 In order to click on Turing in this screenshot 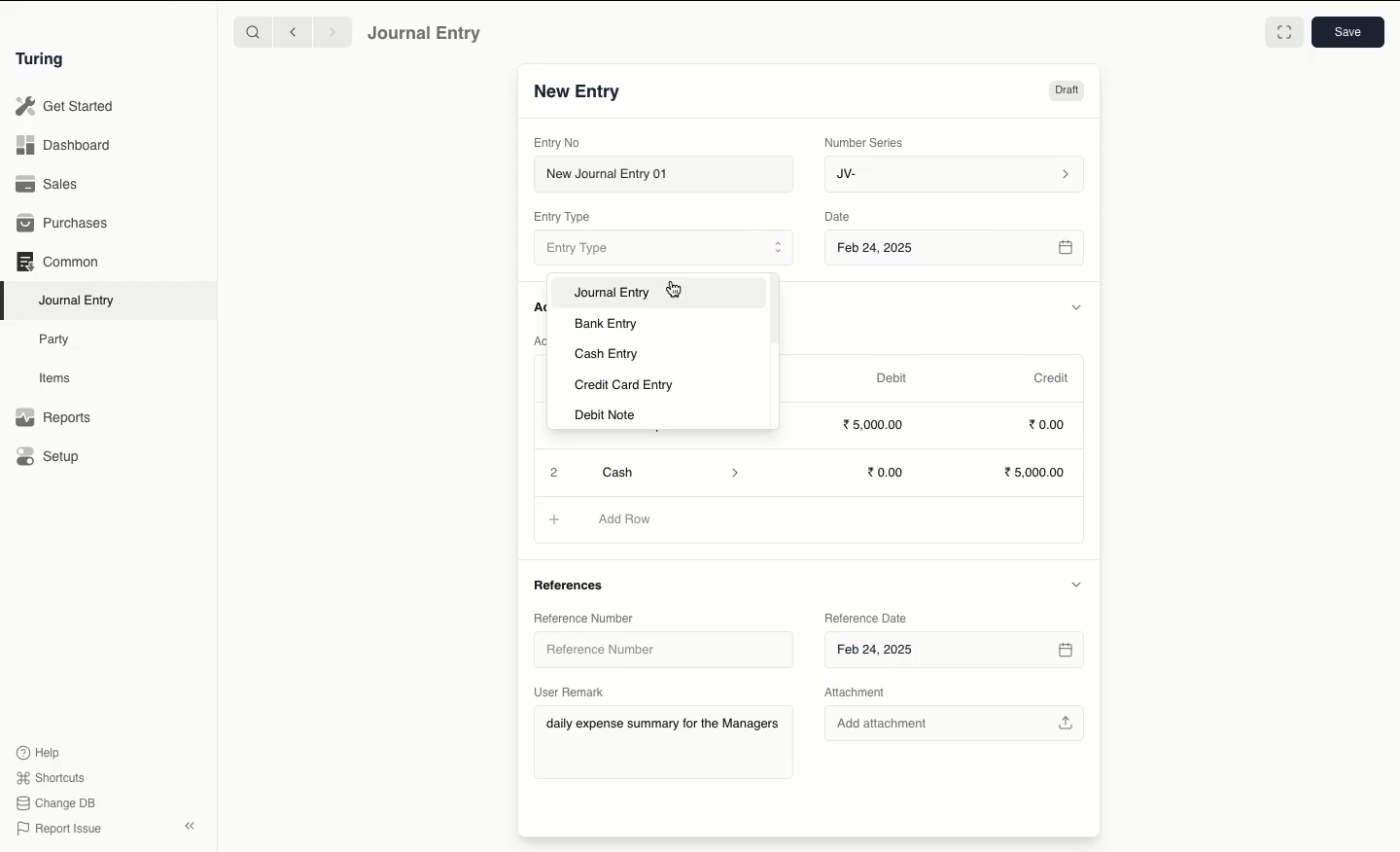, I will do `click(44, 60)`.